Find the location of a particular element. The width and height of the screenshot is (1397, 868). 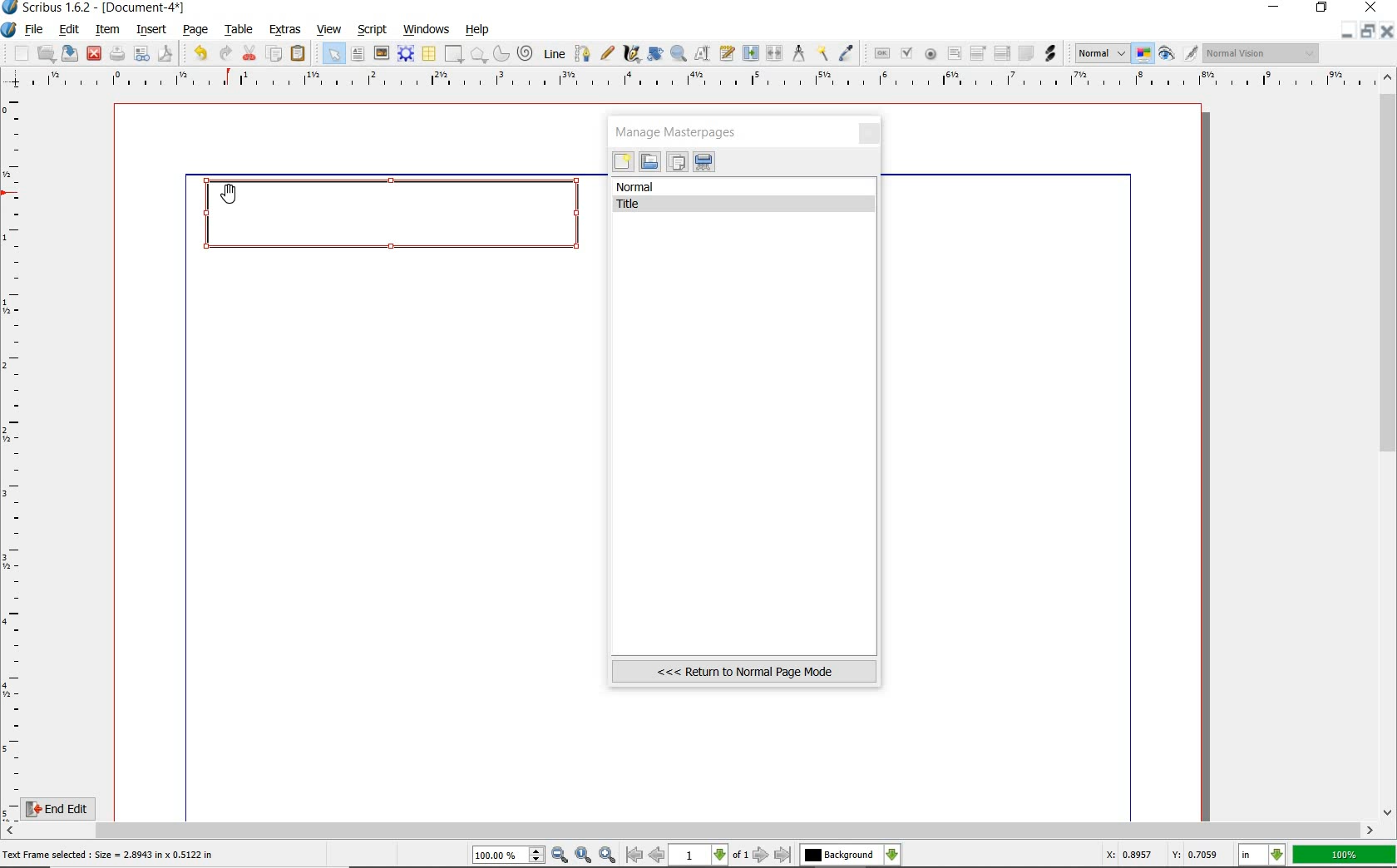

freehand line is located at coordinates (605, 54).